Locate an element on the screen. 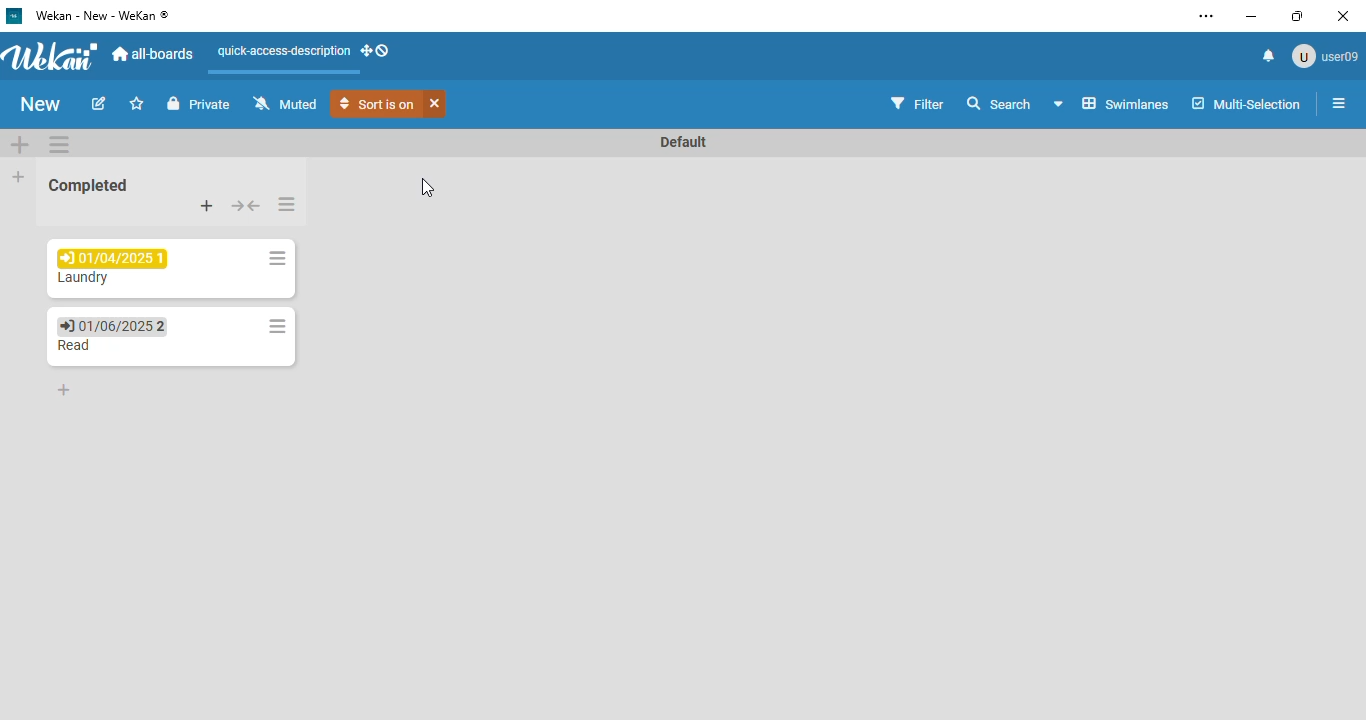  Default is located at coordinates (682, 142).